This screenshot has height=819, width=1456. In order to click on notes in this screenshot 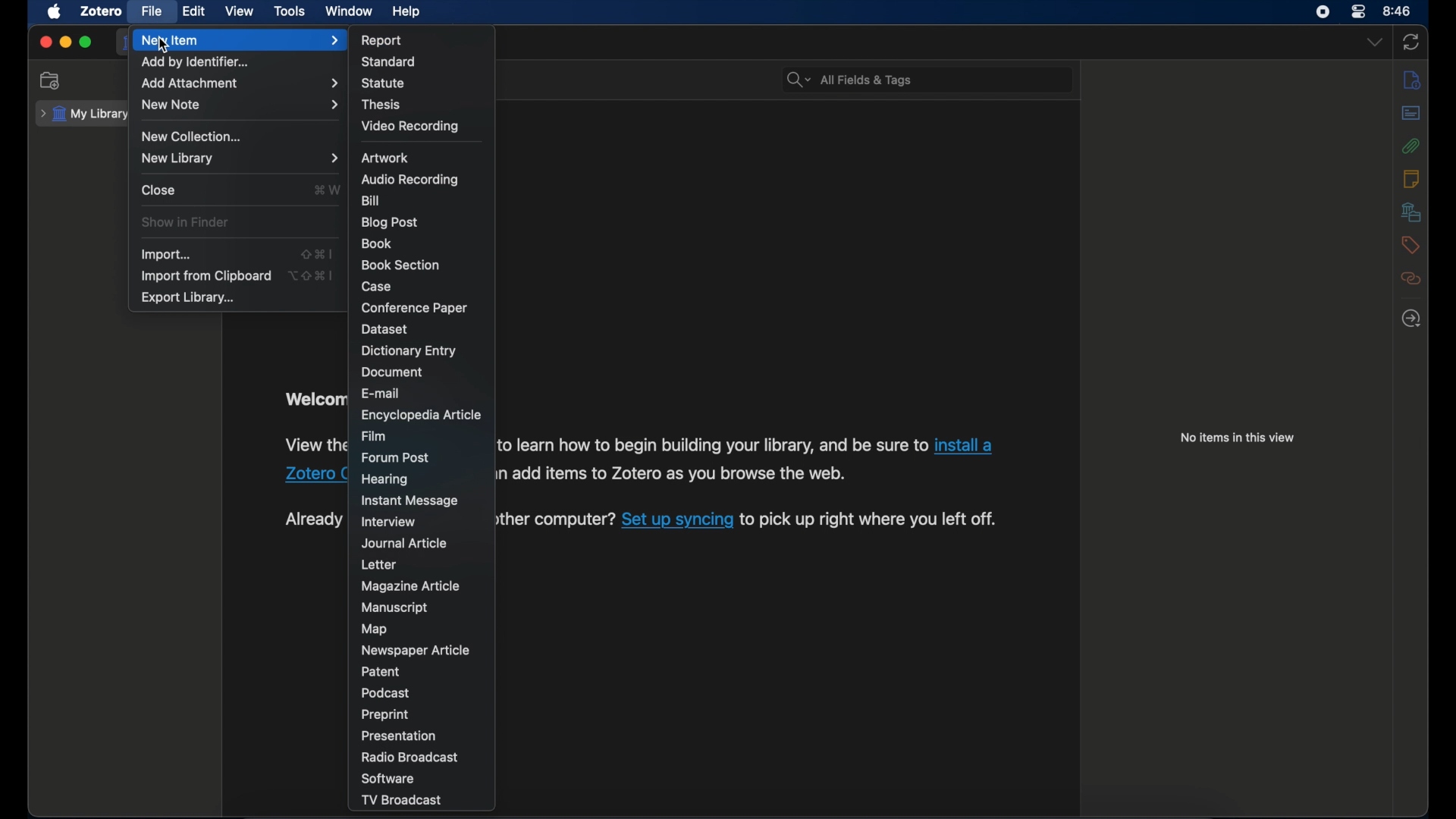, I will do `click(1410, 178)`.